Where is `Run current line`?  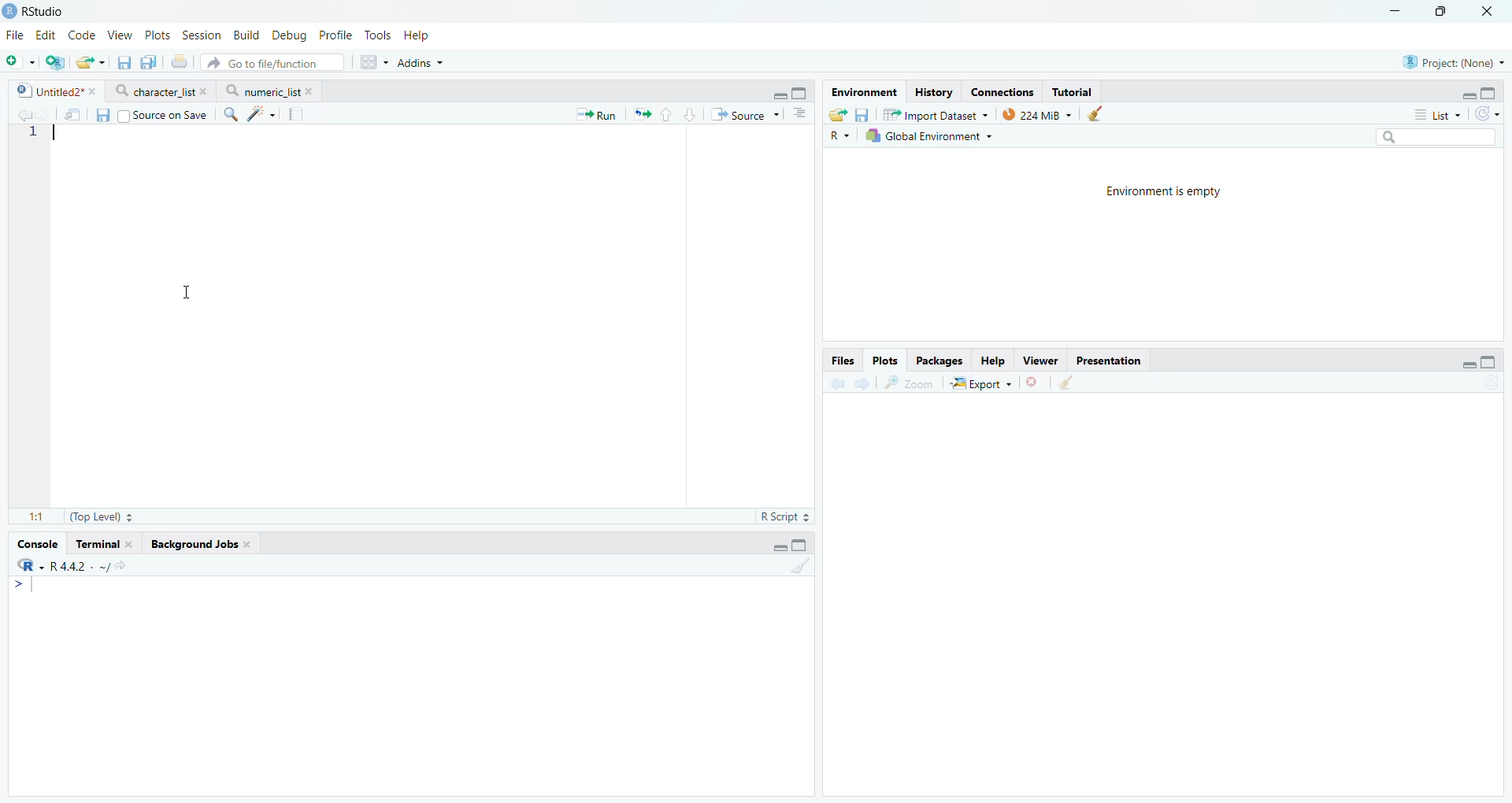 Run current line is located at coordinates (594, 115).